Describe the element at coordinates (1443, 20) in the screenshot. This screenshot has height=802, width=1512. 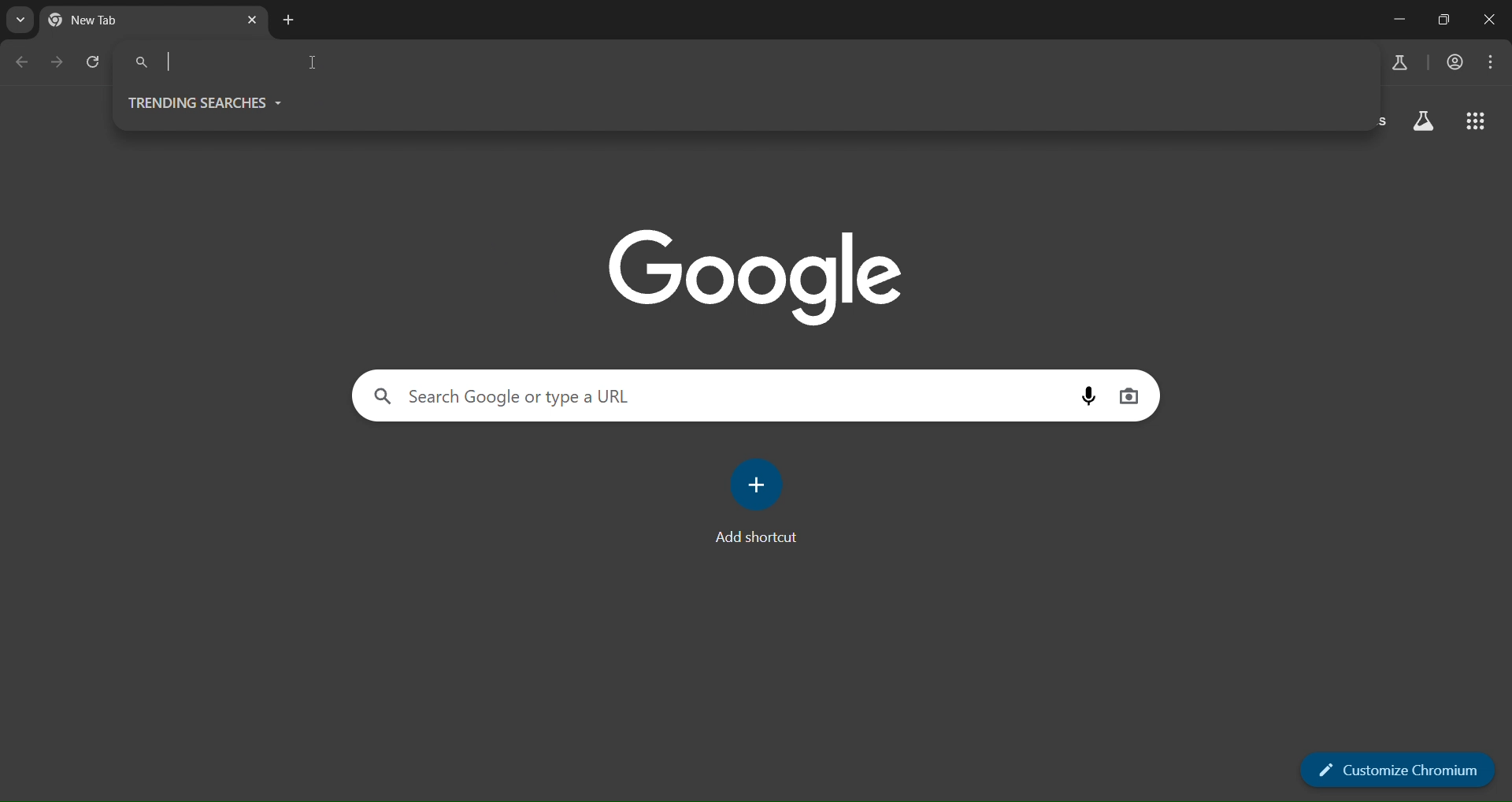
I see `restore down` at that location.